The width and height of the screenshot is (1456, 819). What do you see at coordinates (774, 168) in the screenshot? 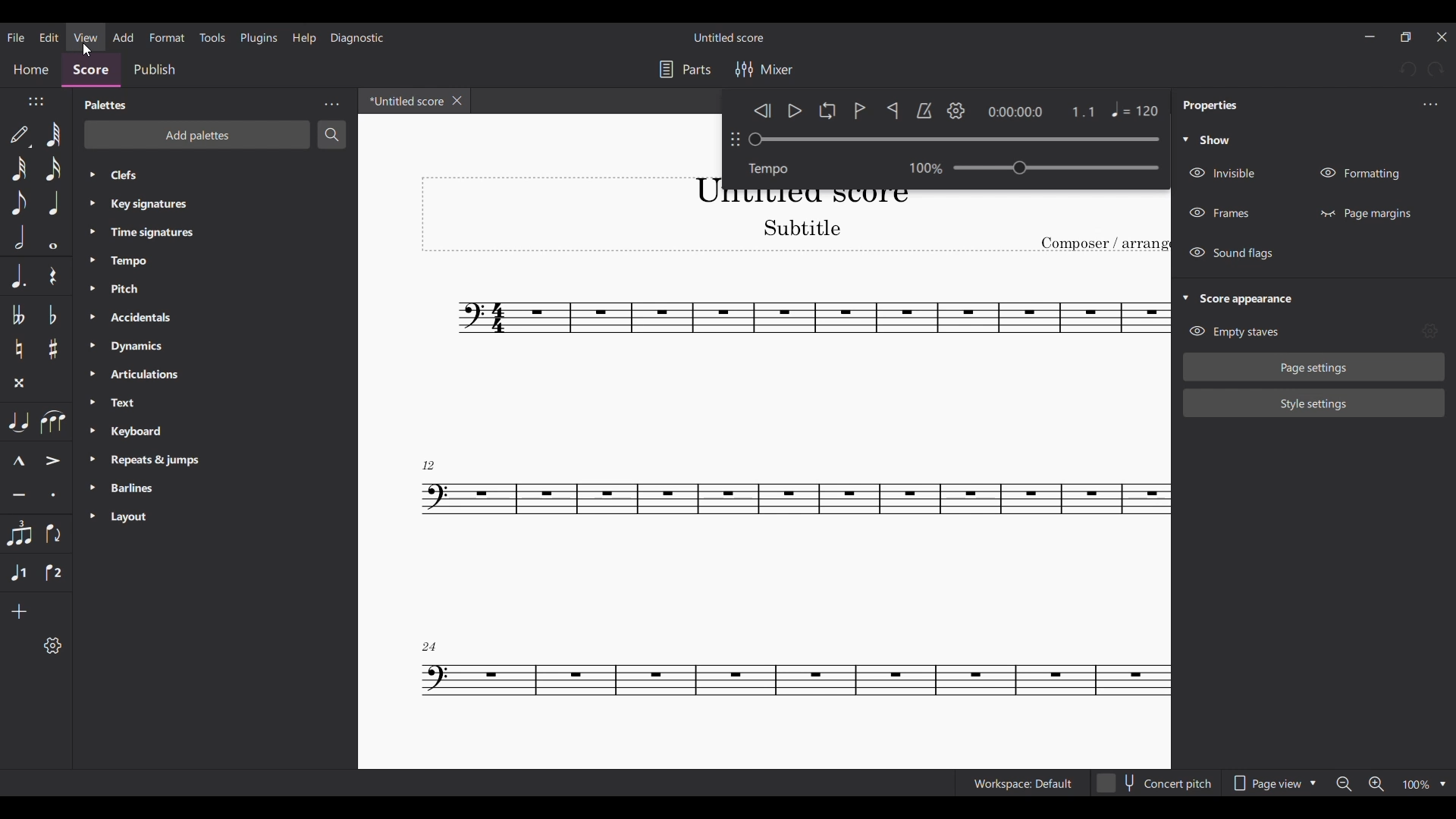
I see `Tempo` at bounding box center [774, 168].